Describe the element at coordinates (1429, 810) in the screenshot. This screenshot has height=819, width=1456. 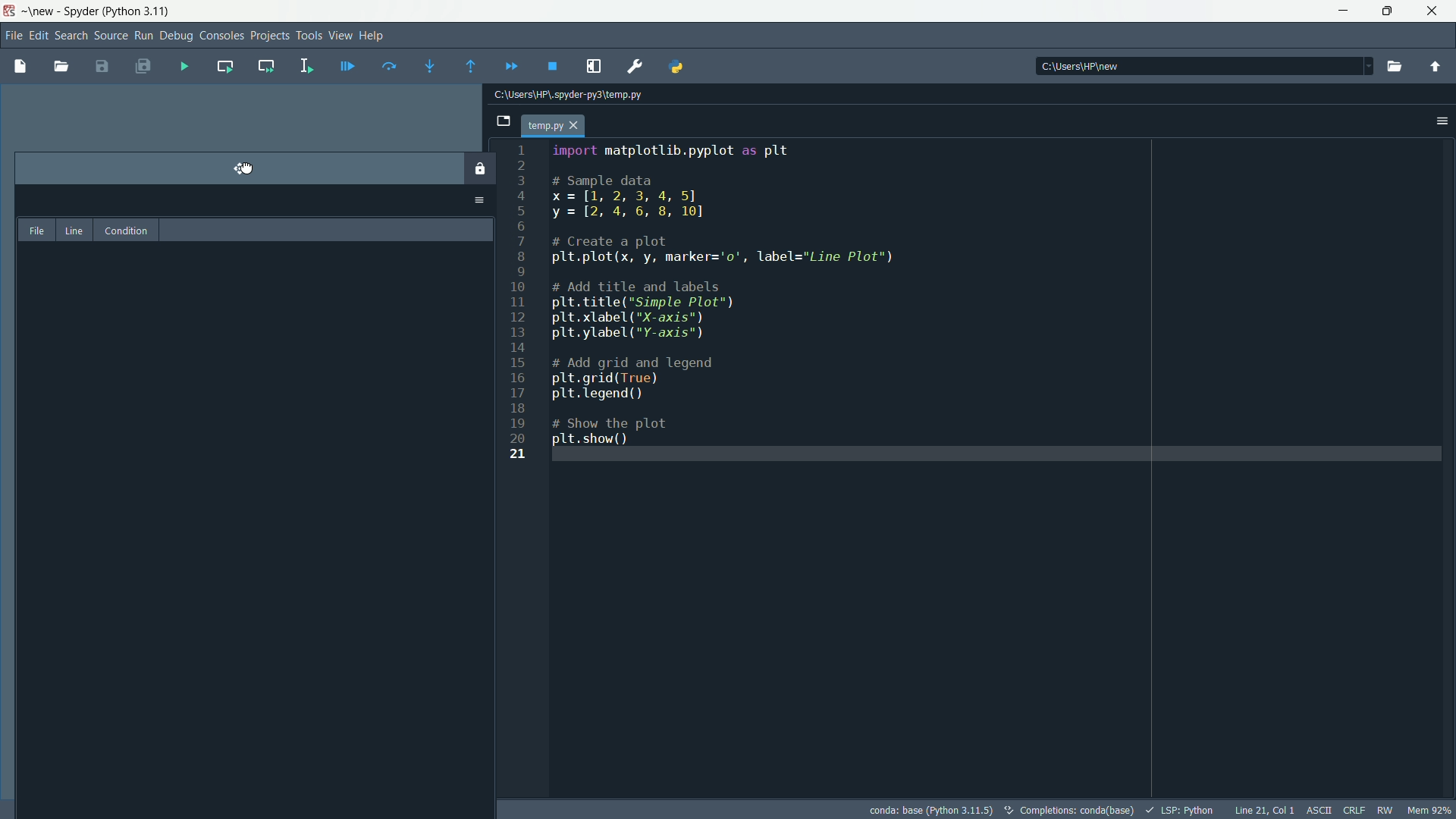
I see `memory usage` at that location.